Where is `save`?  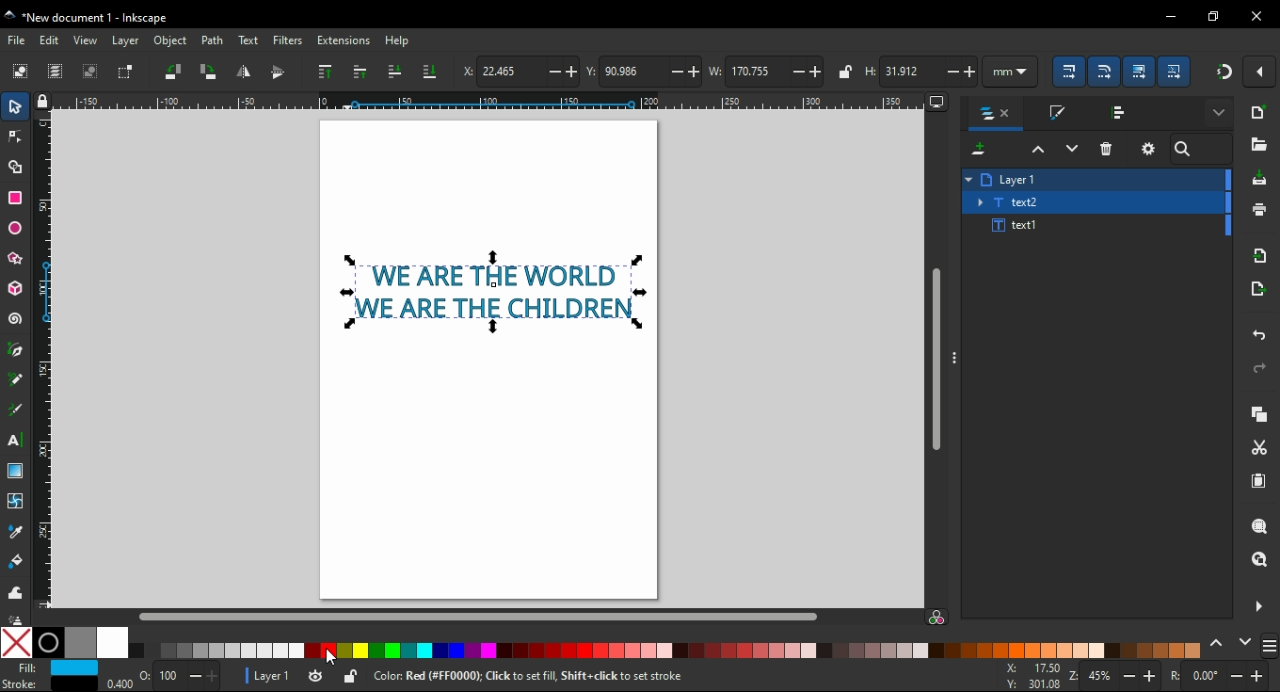
save is located at coordinates (1259, 180).